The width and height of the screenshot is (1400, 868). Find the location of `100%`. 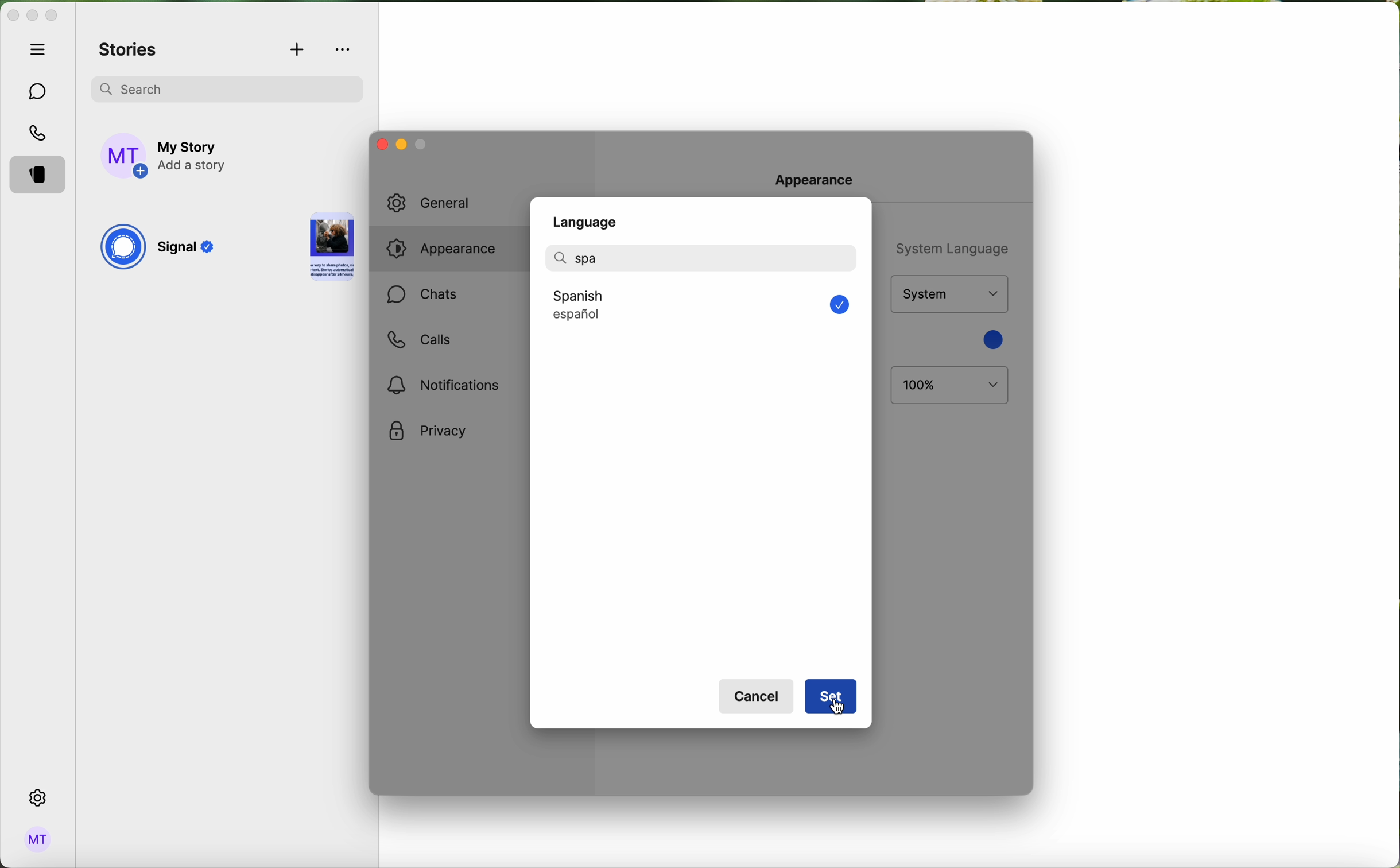

100% is located at coordinates (950, 386).